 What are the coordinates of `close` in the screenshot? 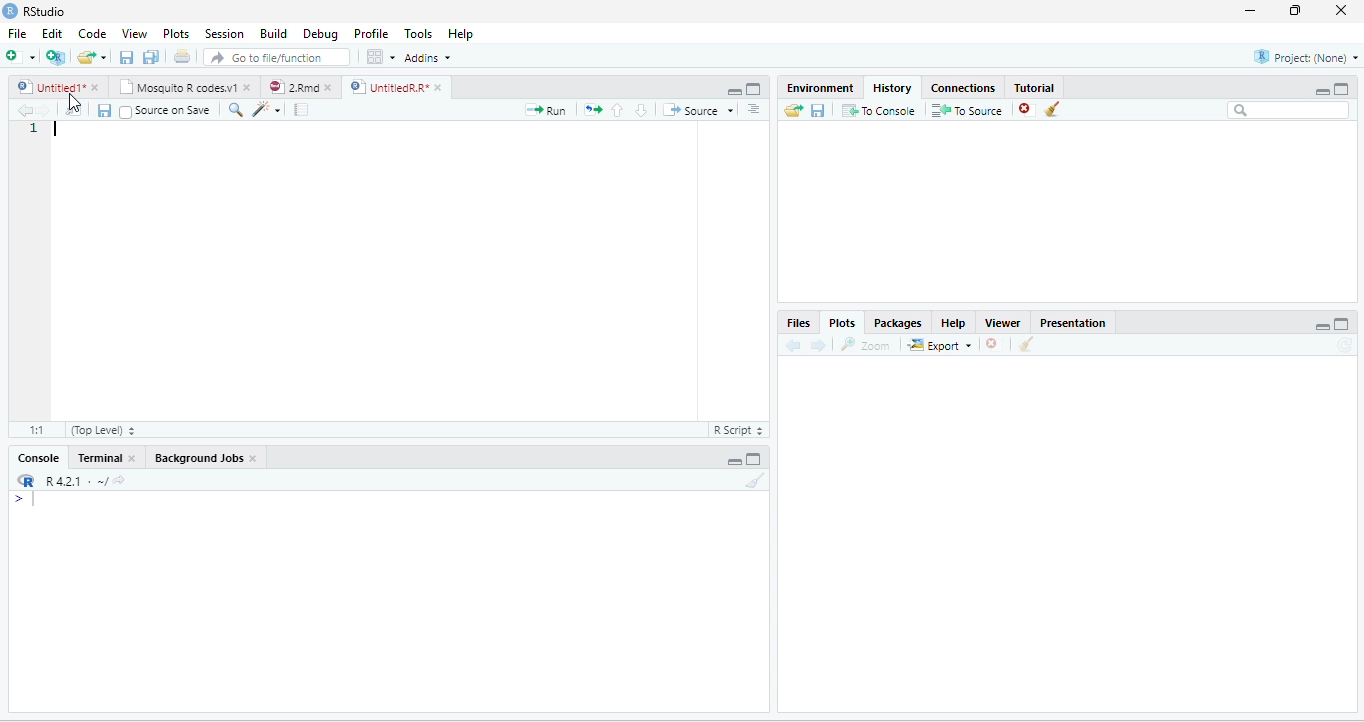 It's located at (328, 87).